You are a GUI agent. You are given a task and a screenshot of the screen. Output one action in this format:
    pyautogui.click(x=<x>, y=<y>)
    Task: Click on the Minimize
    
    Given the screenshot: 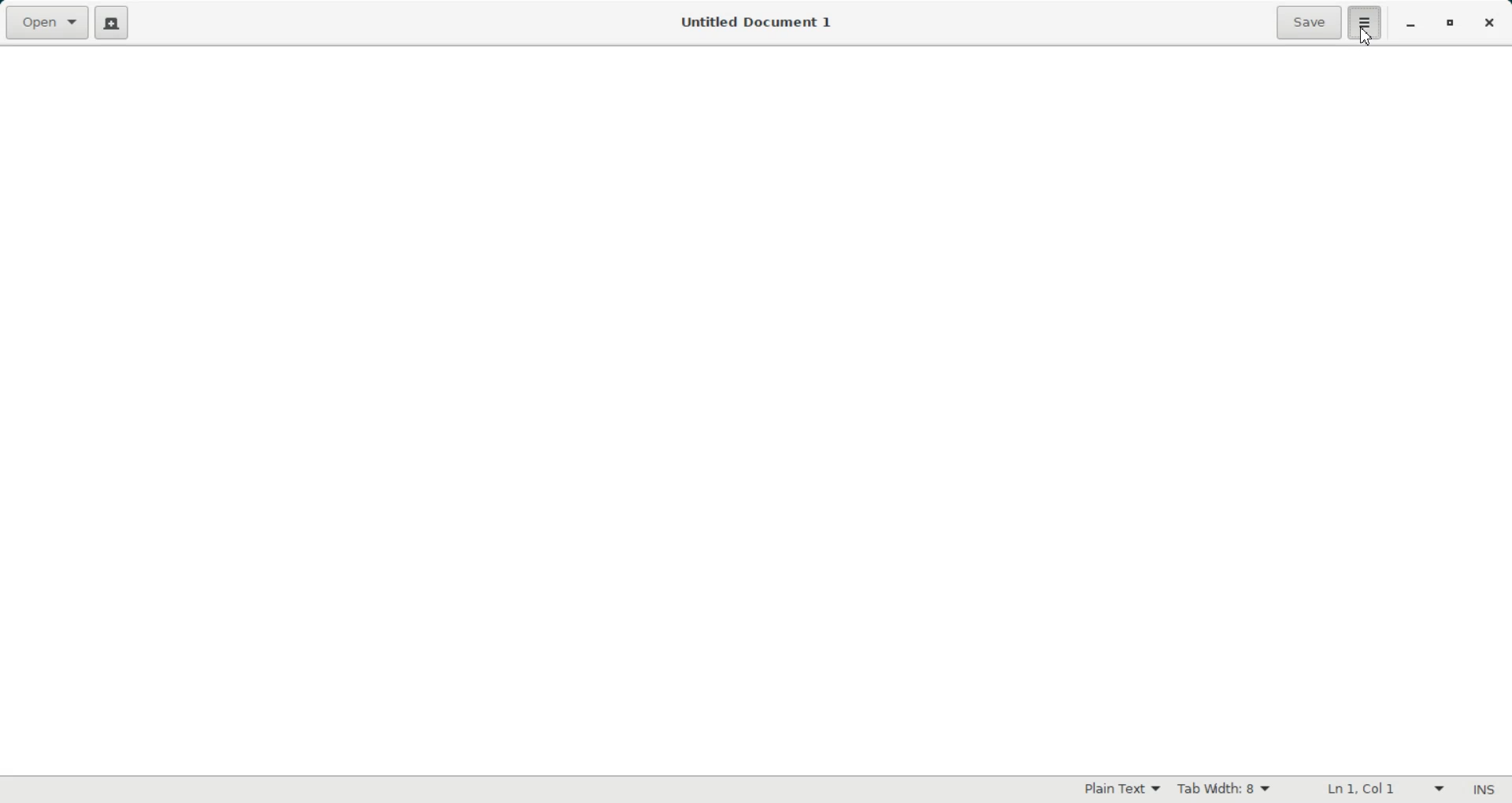 What is the action you would take?
    pyautogui.click(x=1410, y=24)
    